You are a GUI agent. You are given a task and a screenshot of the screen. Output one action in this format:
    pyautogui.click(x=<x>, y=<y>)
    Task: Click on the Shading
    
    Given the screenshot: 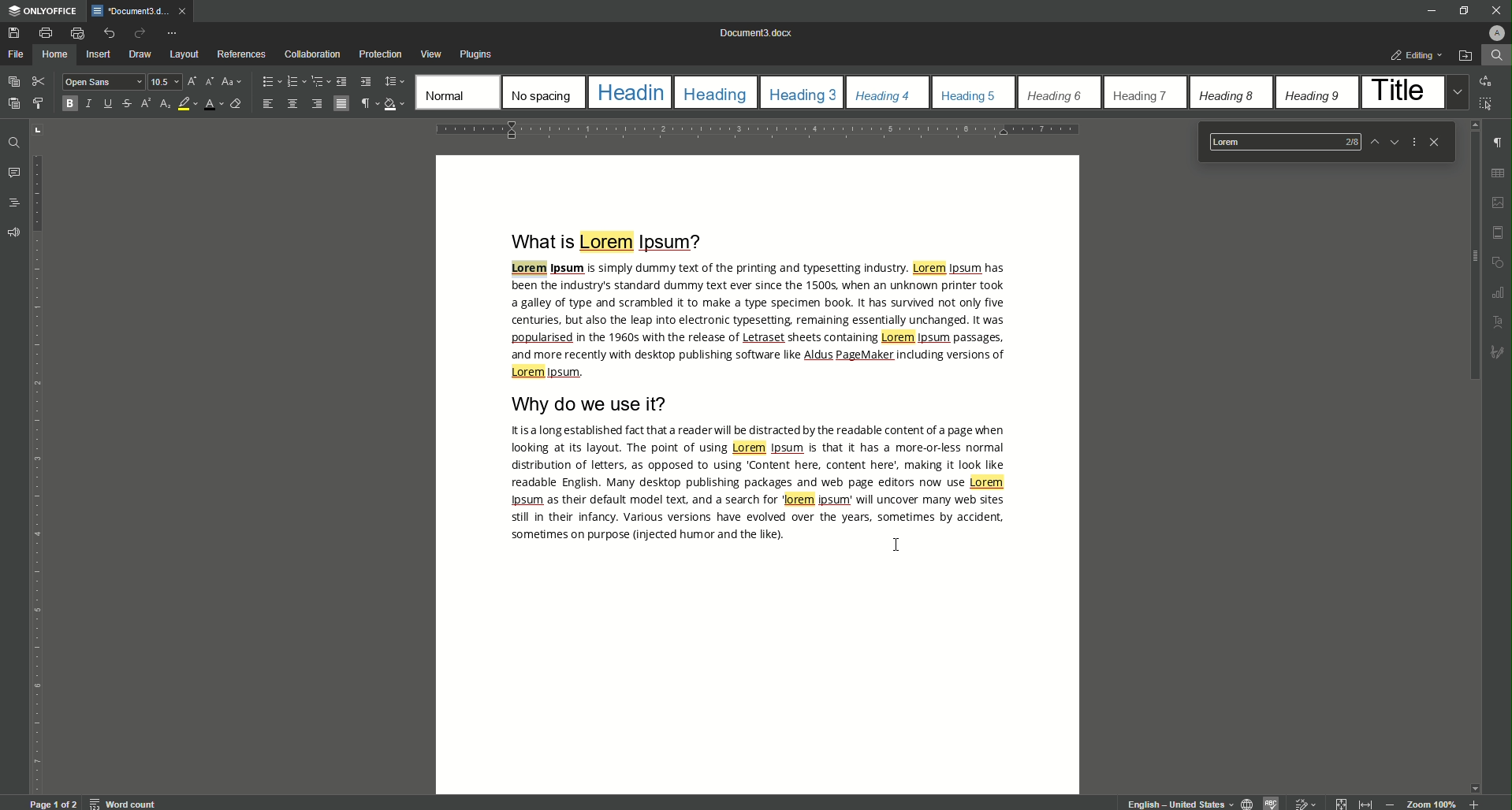 What is the action you would take?
    pyautogui.click(x=393, y=102)
    